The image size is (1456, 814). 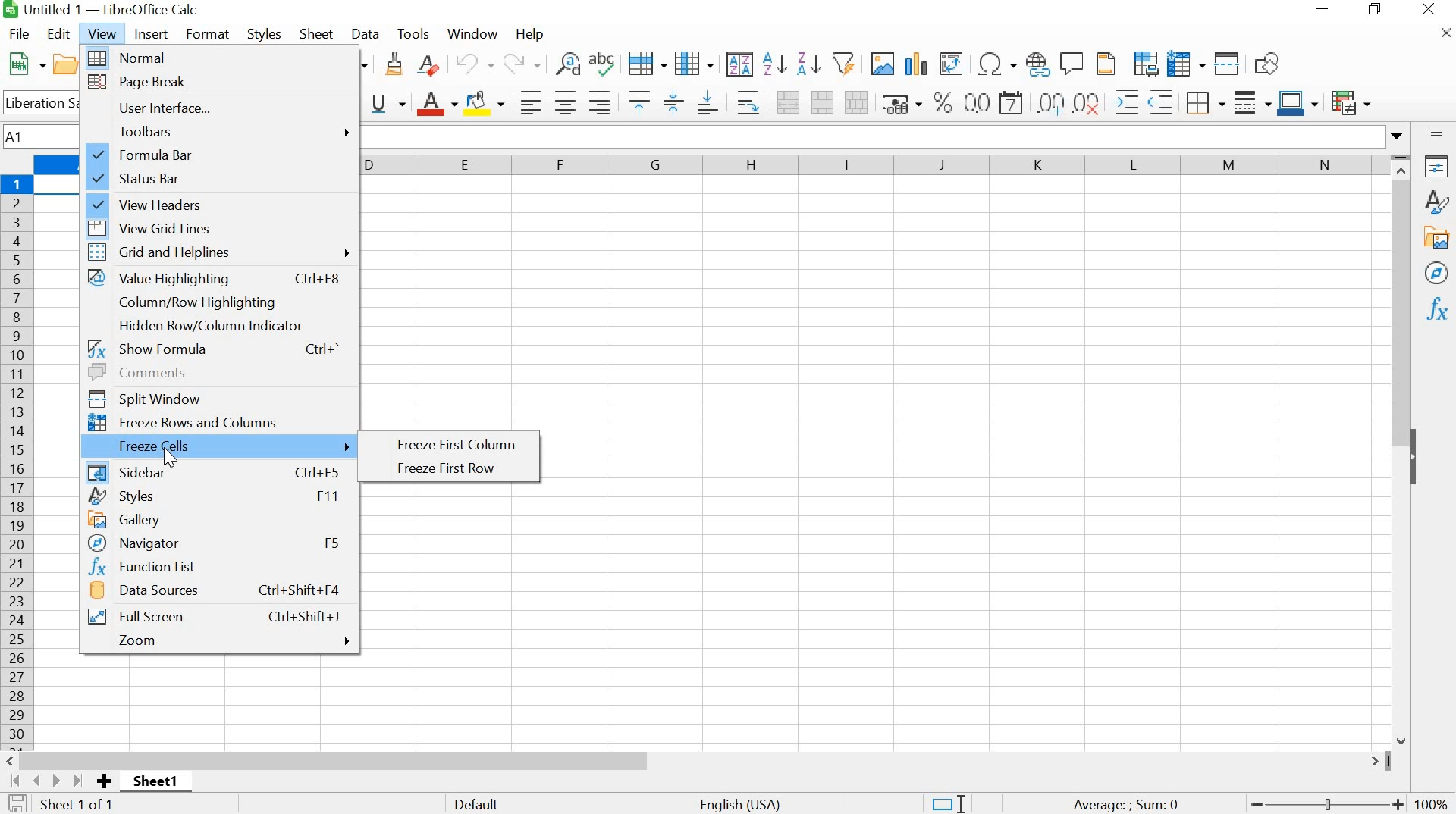 What do you see at coordinates (1323, 10) in the screenshot?
I see `MINIMIZE` at bounding box center [1323, 10].